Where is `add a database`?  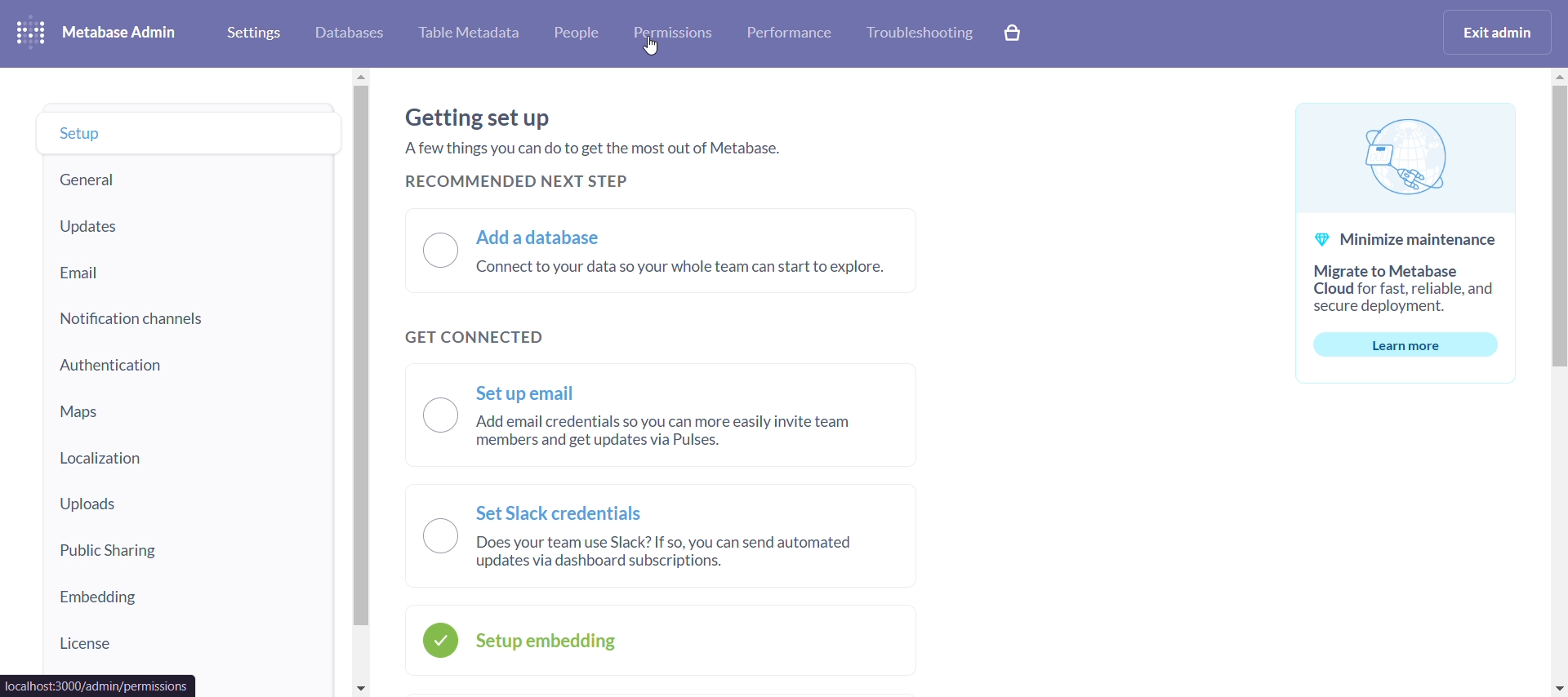
add a database is located at coordinates (660, 251).